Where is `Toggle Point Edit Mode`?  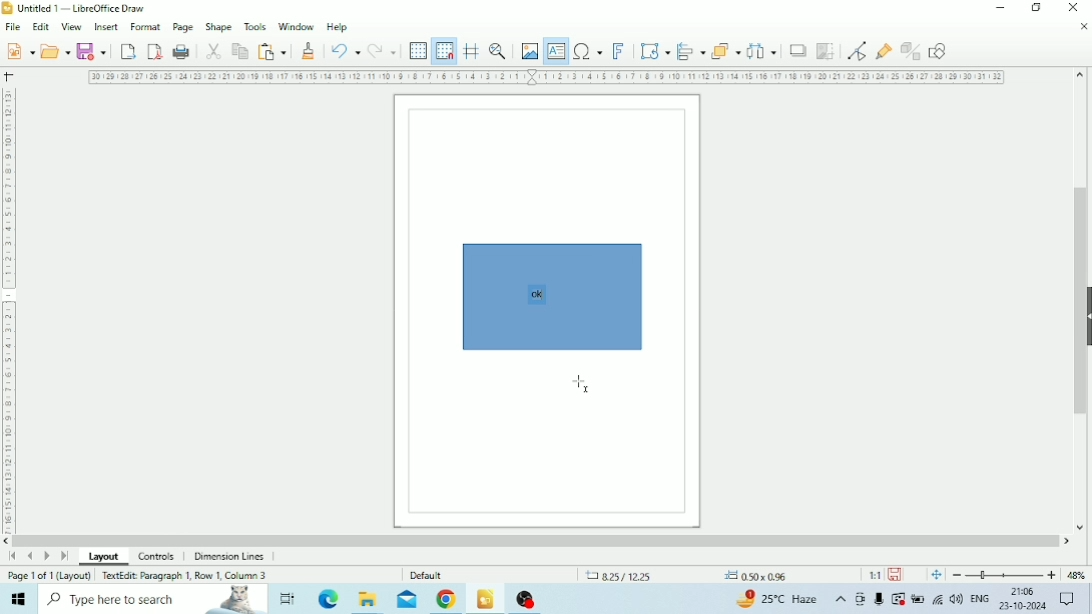
Toggle Point Edit Mode is located at coordinates (858, 52).